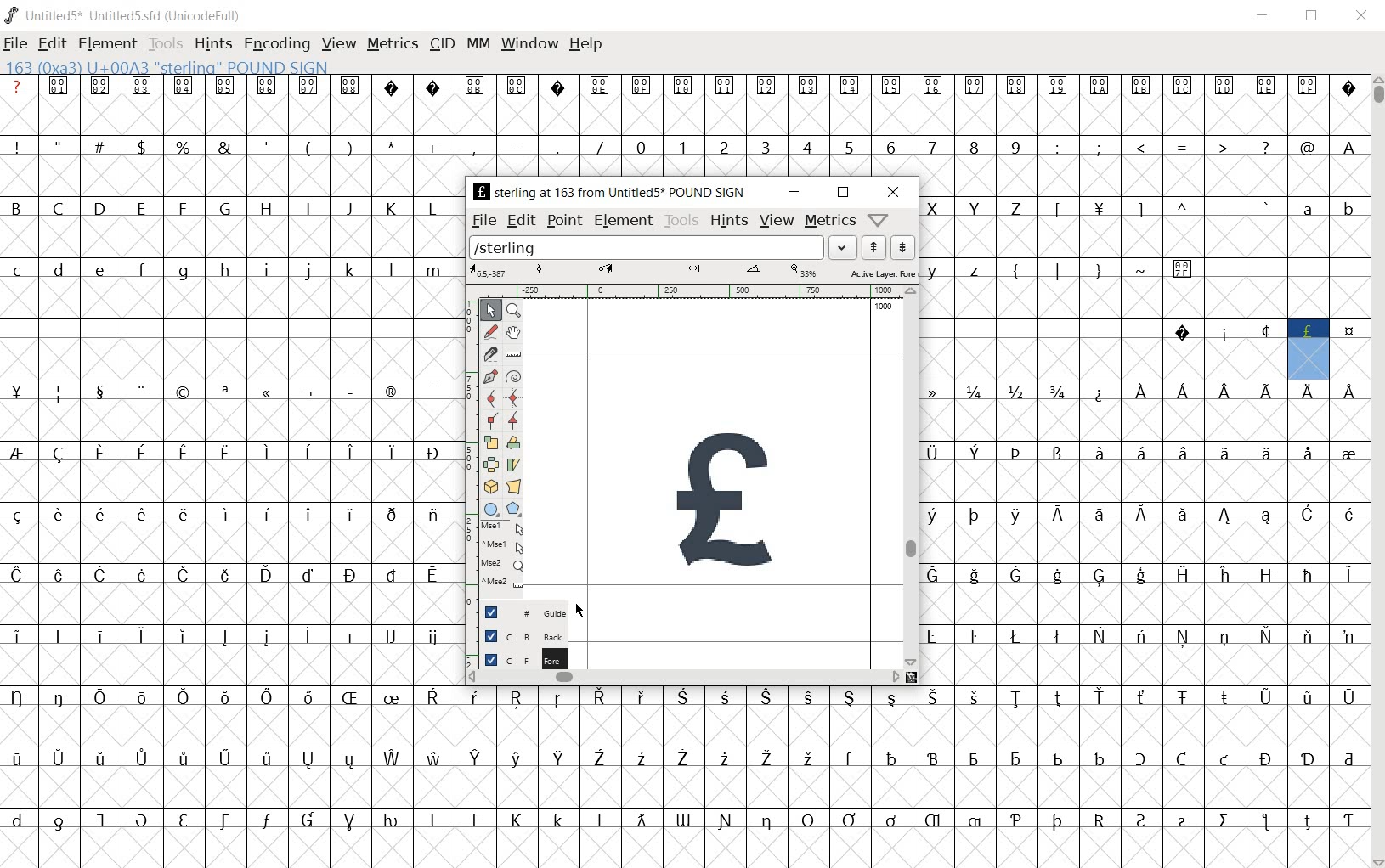 This screenshot has height=868, width=1385. Describe the element at coordinates (266, 449) in the screenshot. I see `Symbol` at that location.